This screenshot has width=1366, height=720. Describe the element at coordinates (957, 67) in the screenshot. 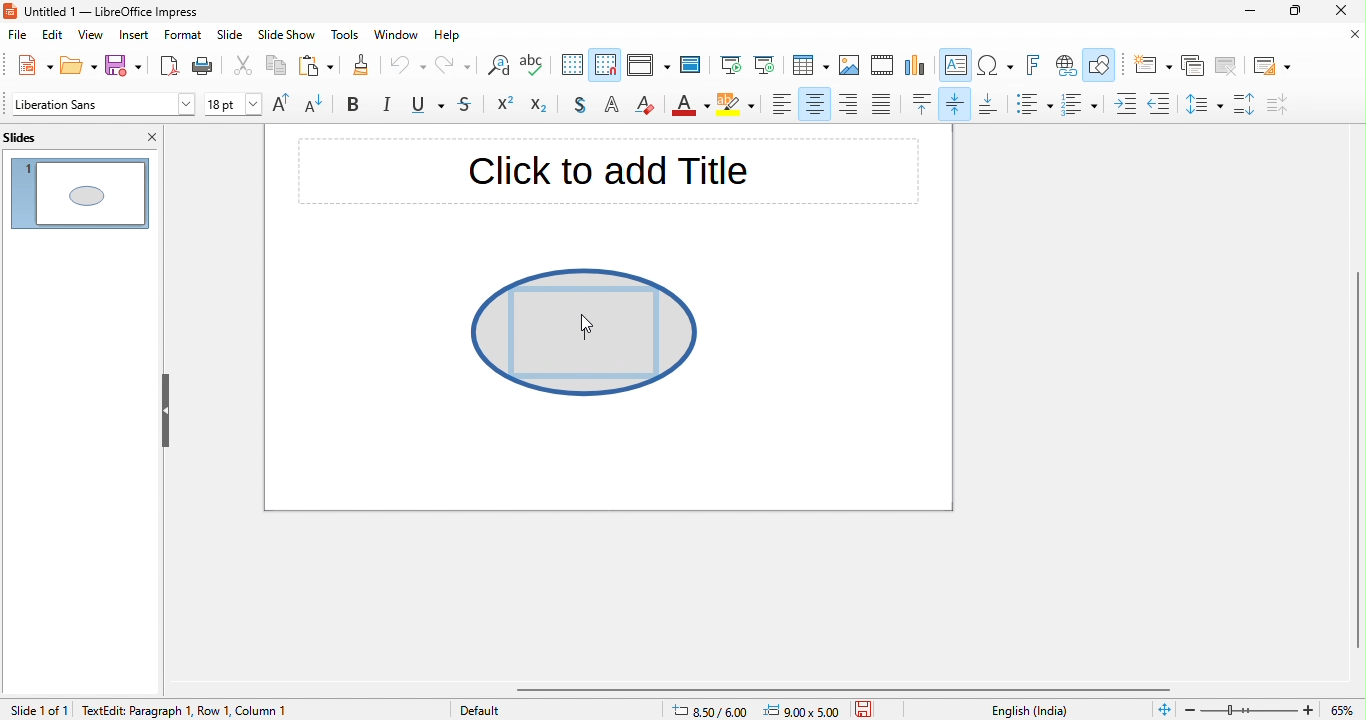

I see `text box` at that location.